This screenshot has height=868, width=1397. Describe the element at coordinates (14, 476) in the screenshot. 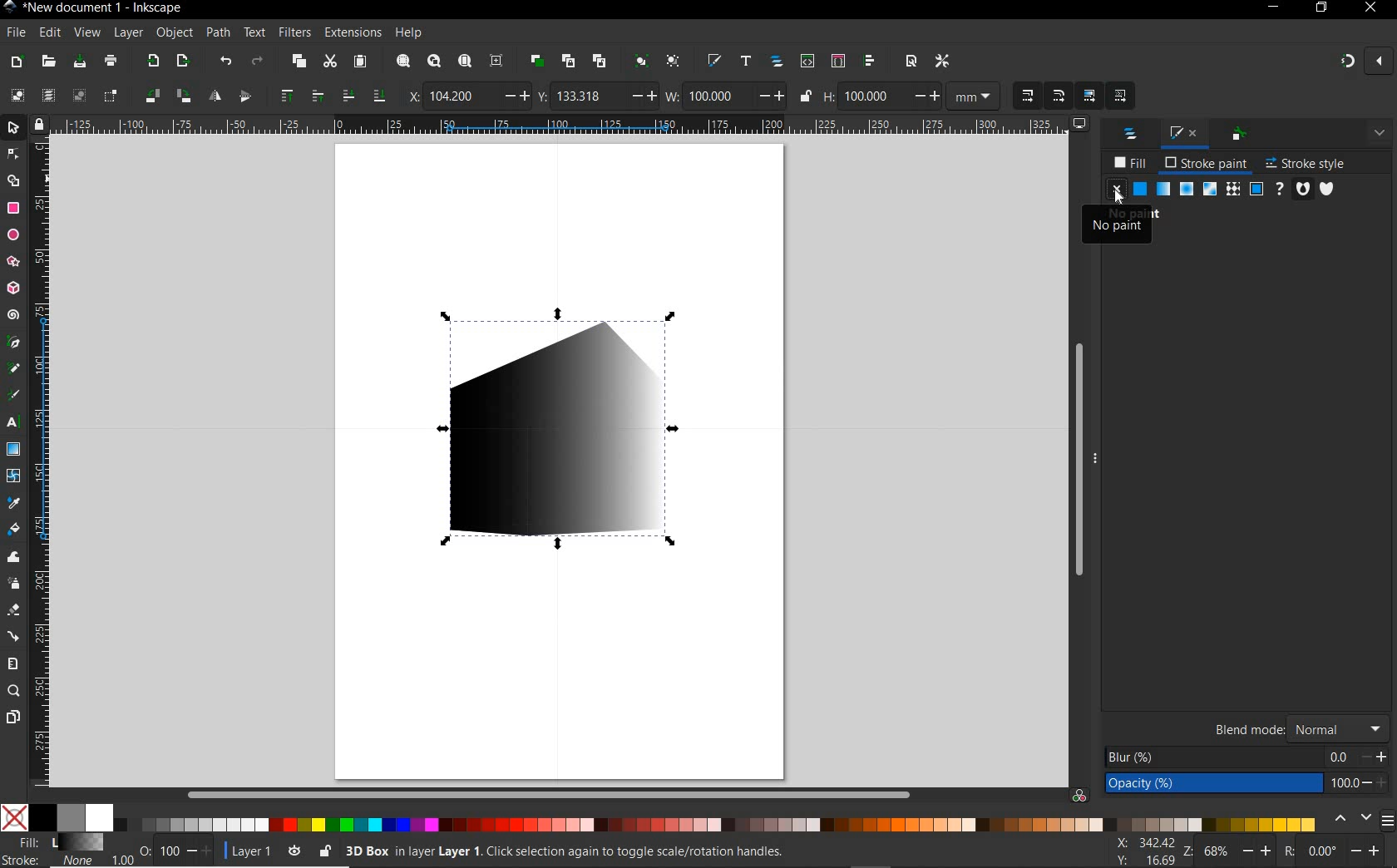

I see `MESH TOOL` at that location.